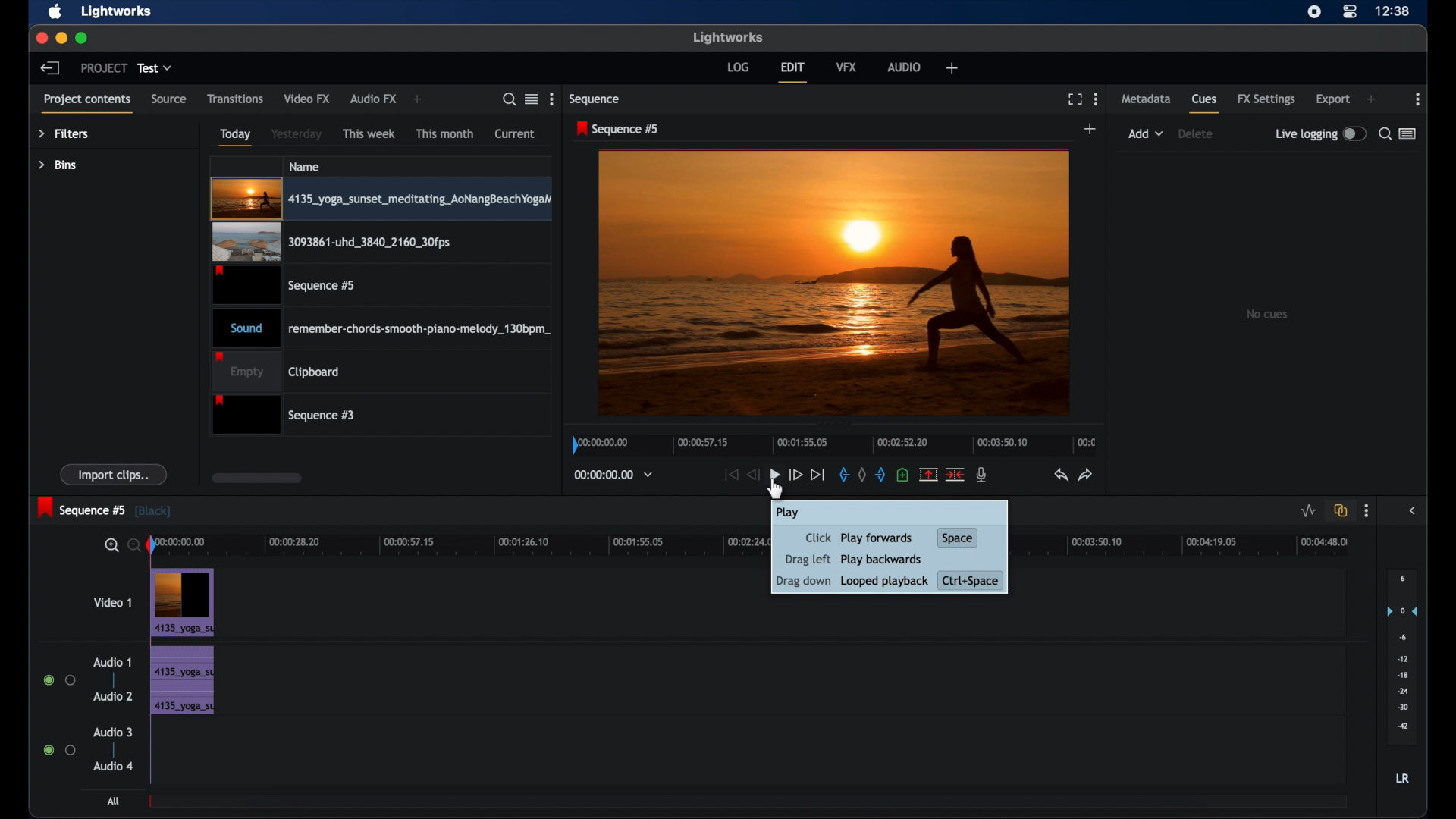 The image size is (1456, 819). I want to click on toggle audio level editing, so click(1309, 511).